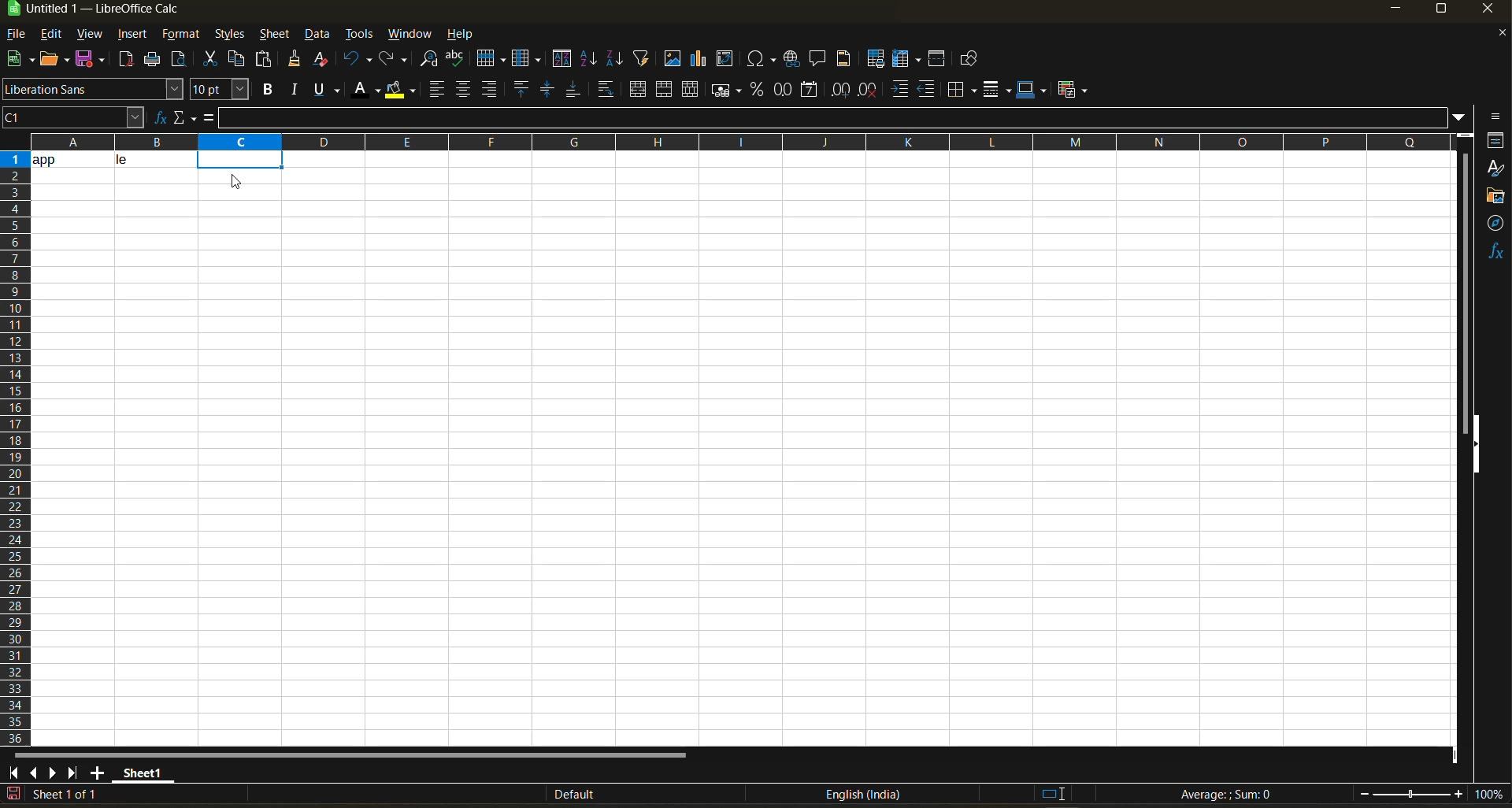 The height and width of the screenshot is (808, 1512). I want to click on scroll to first sheet, so click(14, 770).